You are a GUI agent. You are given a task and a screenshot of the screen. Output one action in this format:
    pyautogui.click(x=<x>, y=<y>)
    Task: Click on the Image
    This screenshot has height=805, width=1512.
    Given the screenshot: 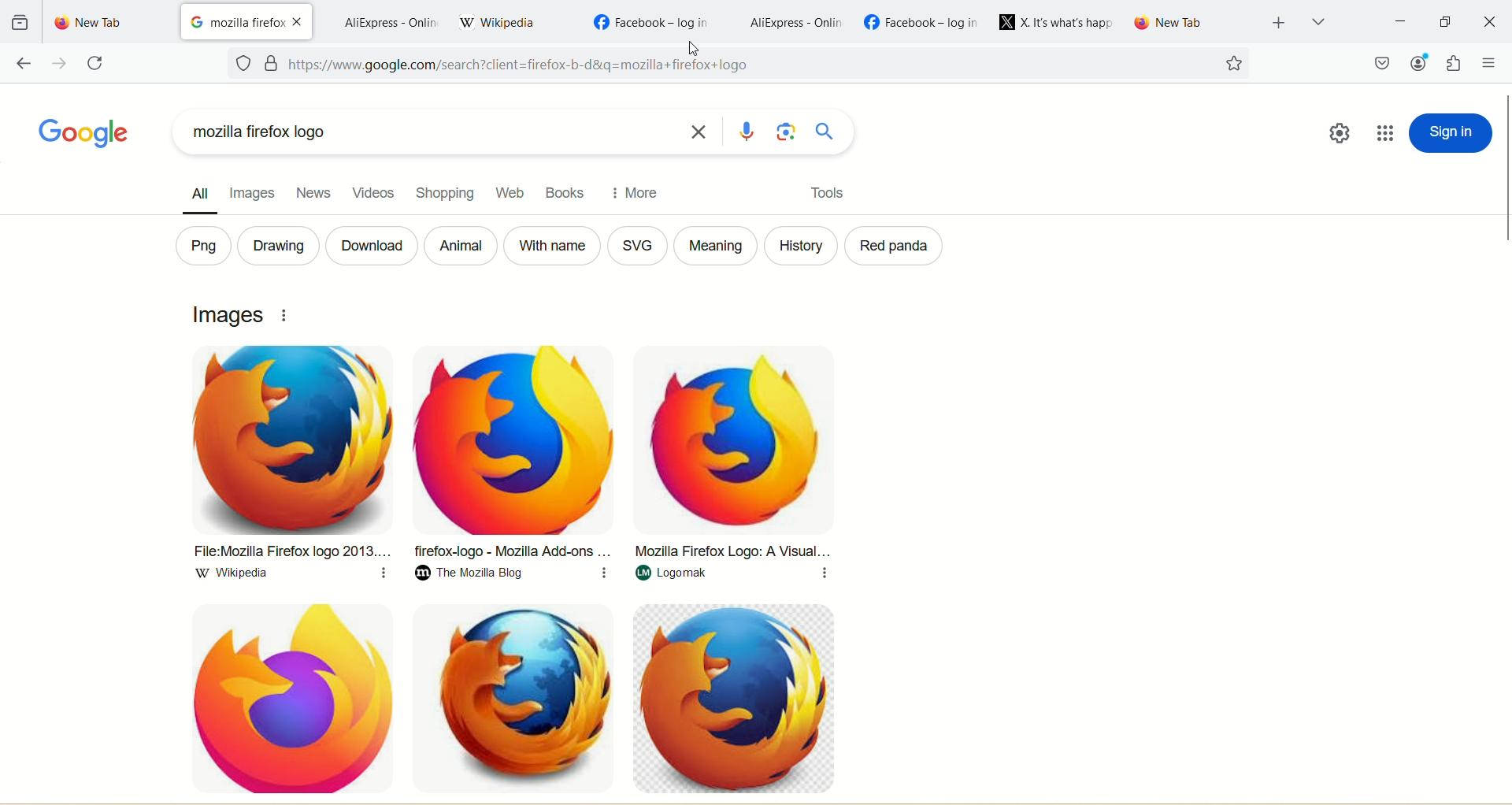 What is the action you would take?
    pyautogui.click(x=284, y=696)
    